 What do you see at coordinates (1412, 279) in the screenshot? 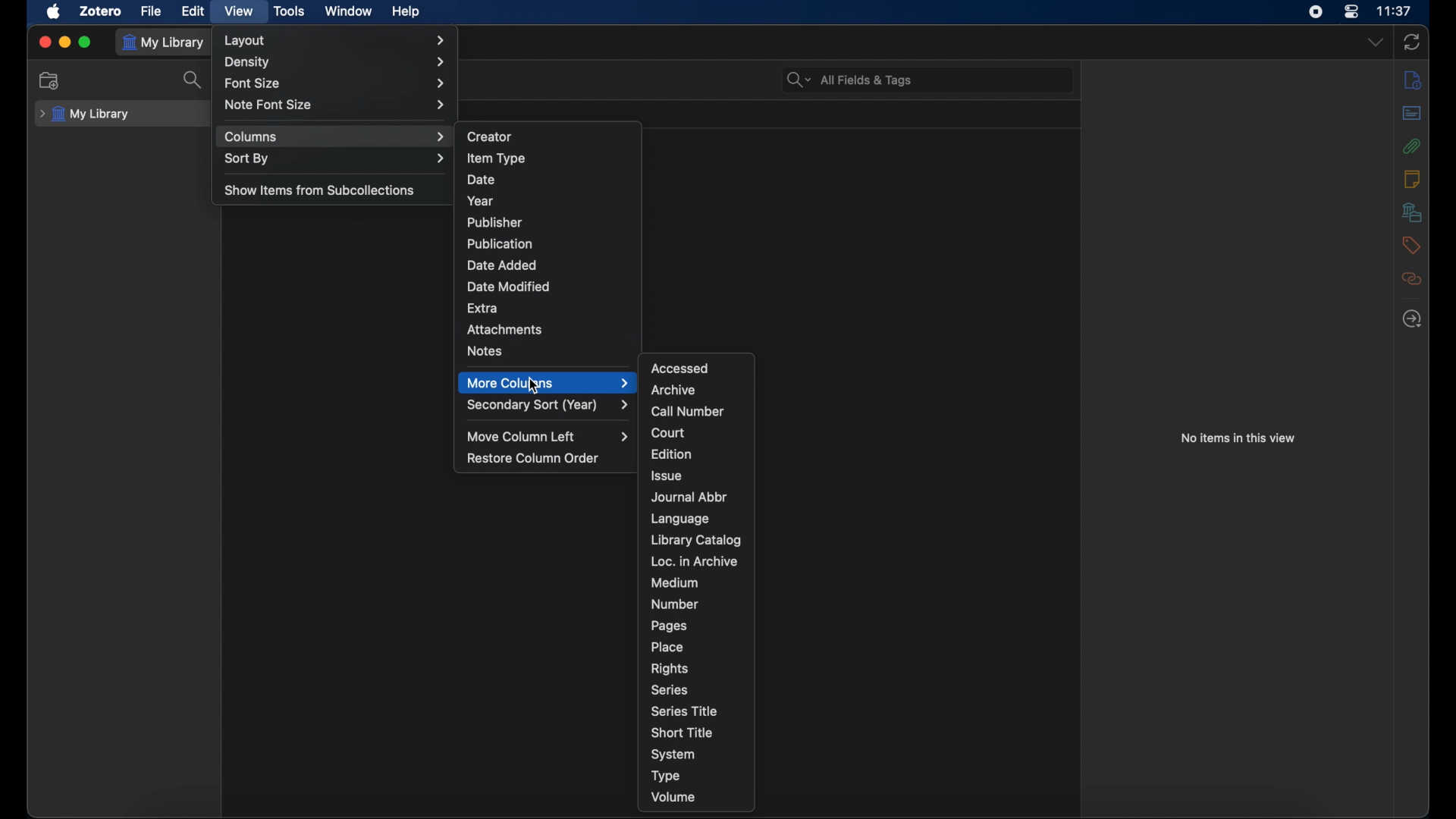
I see `related` at bounding box center [1412, 279].